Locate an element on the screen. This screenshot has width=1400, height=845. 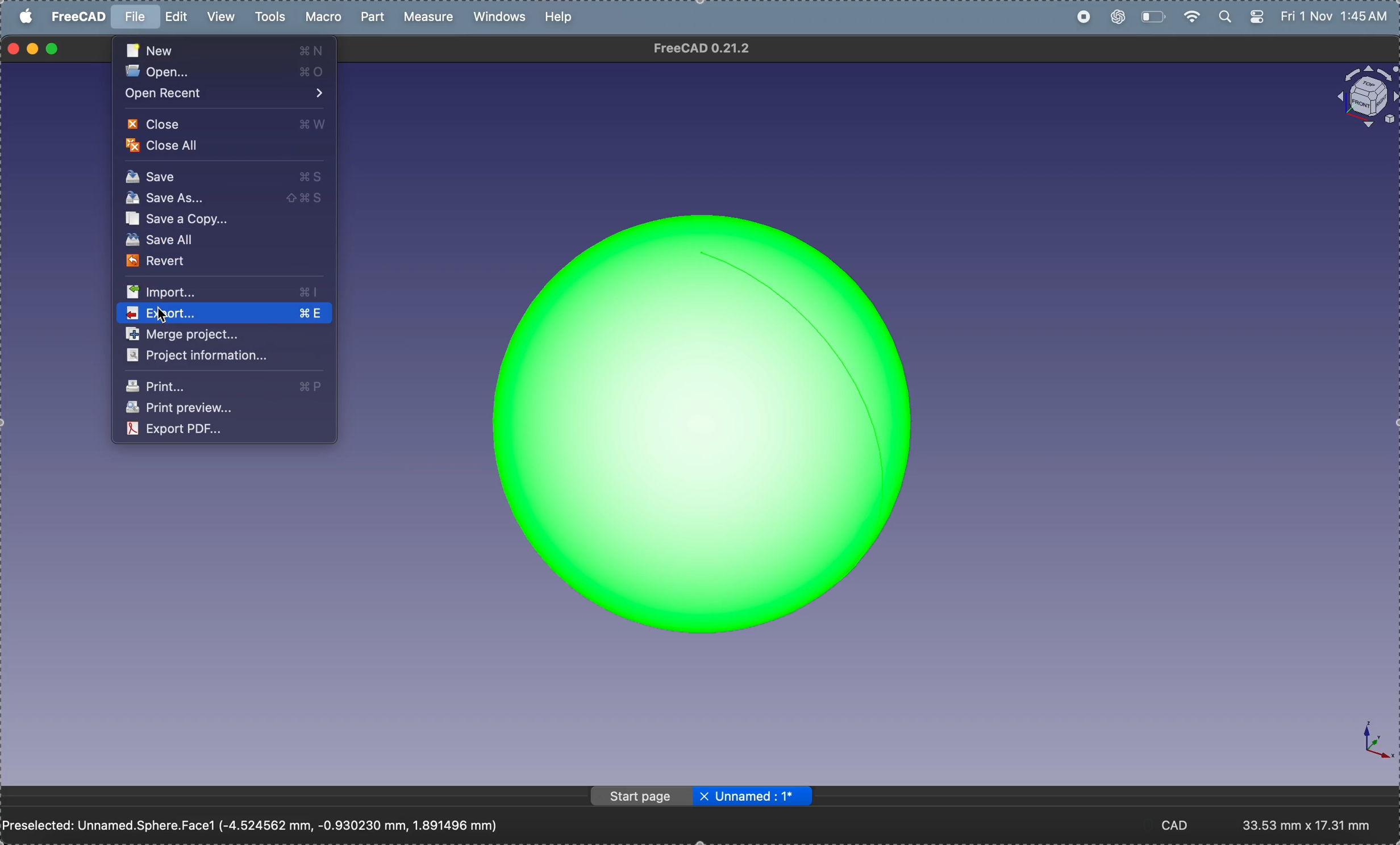
revert is located at coordinates (234, 262).